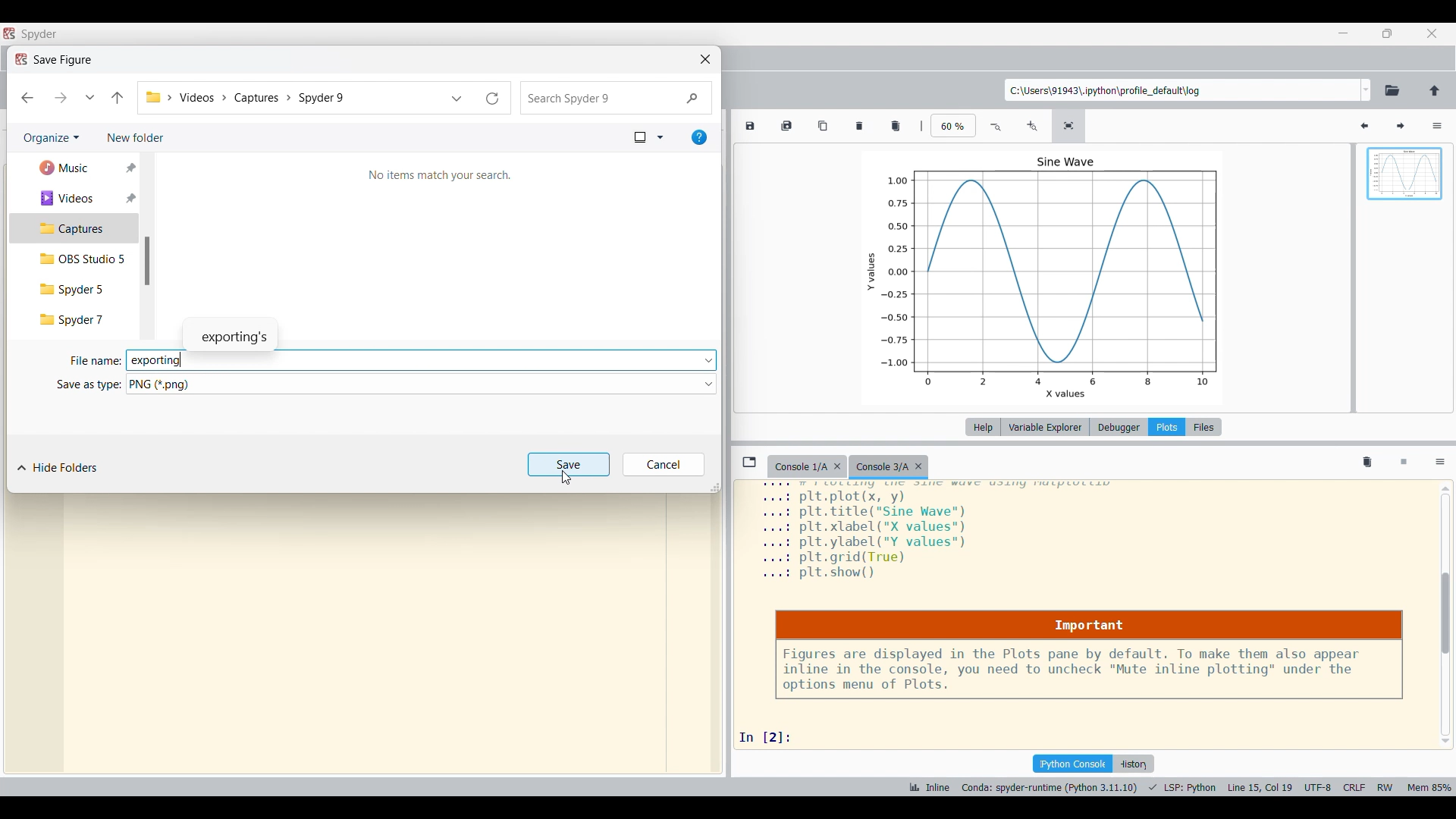 Image resolution: width=1456 pixels, height=819 pixels. What do you see at coordinates (146, 261) in the screenshot?
I see `Vertical slide bar` at bounding box center [146, 261].